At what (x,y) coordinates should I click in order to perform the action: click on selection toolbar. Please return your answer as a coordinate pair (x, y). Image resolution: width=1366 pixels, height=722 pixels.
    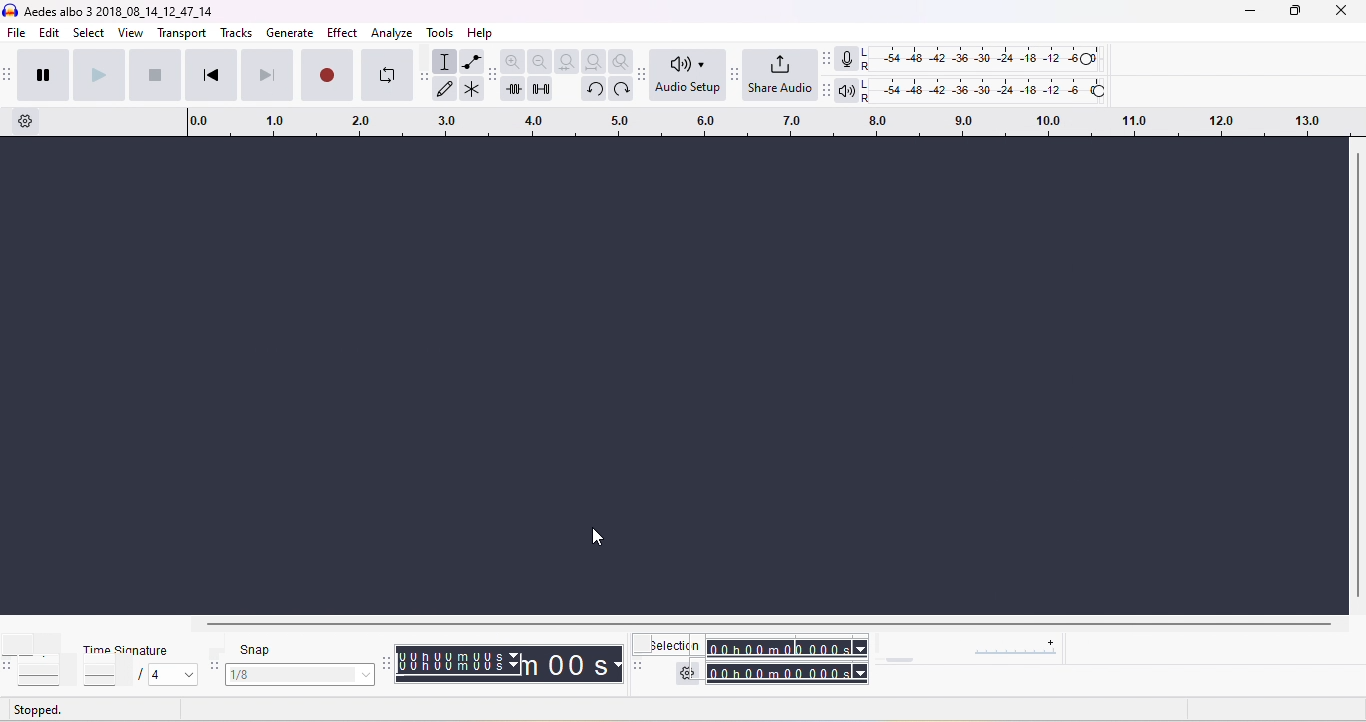
    Looking at the image, I should click on (637, 662).